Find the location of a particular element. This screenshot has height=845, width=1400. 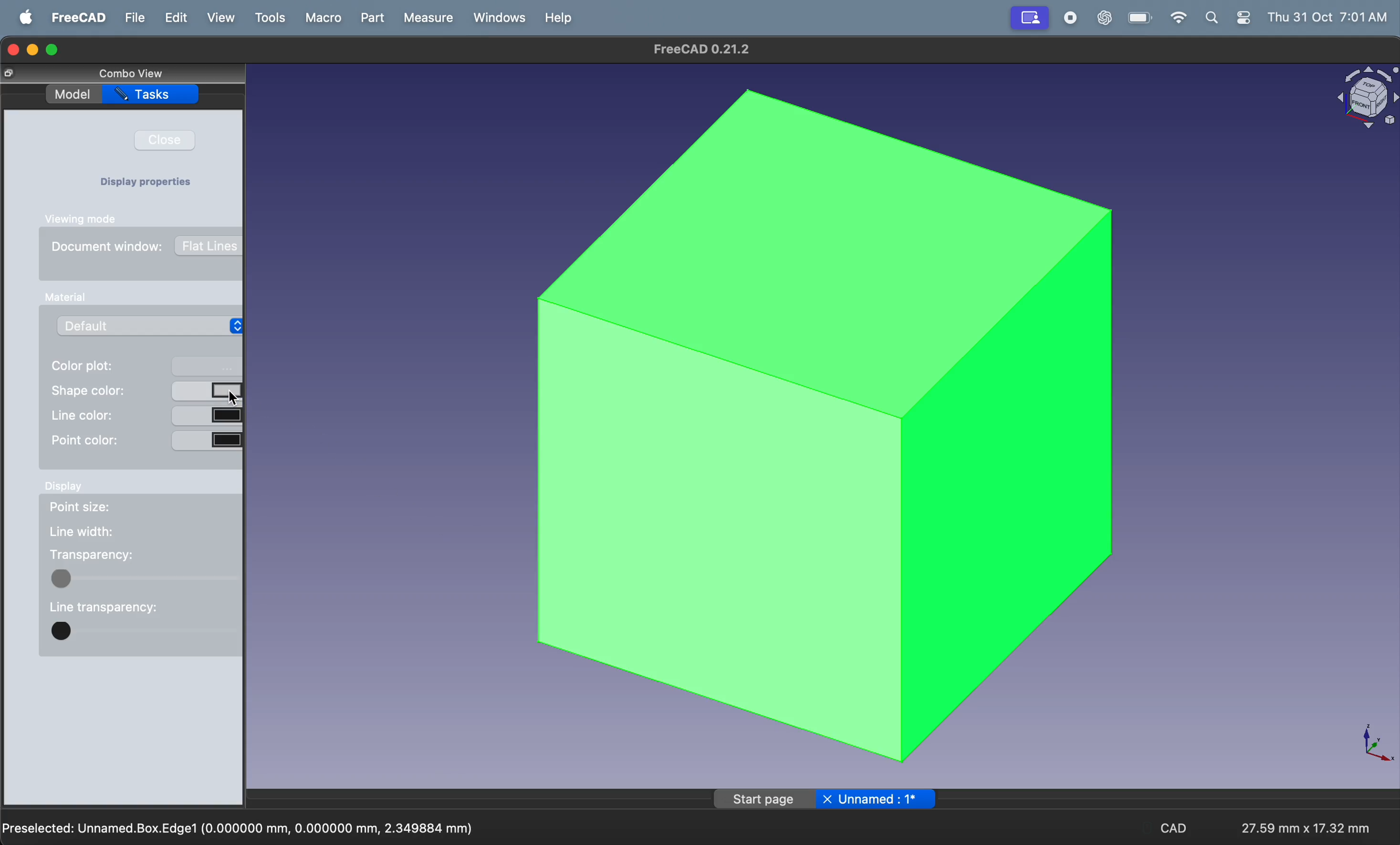

Thu 31 oct 7.01 Am is located at coordinates (1330, 18).